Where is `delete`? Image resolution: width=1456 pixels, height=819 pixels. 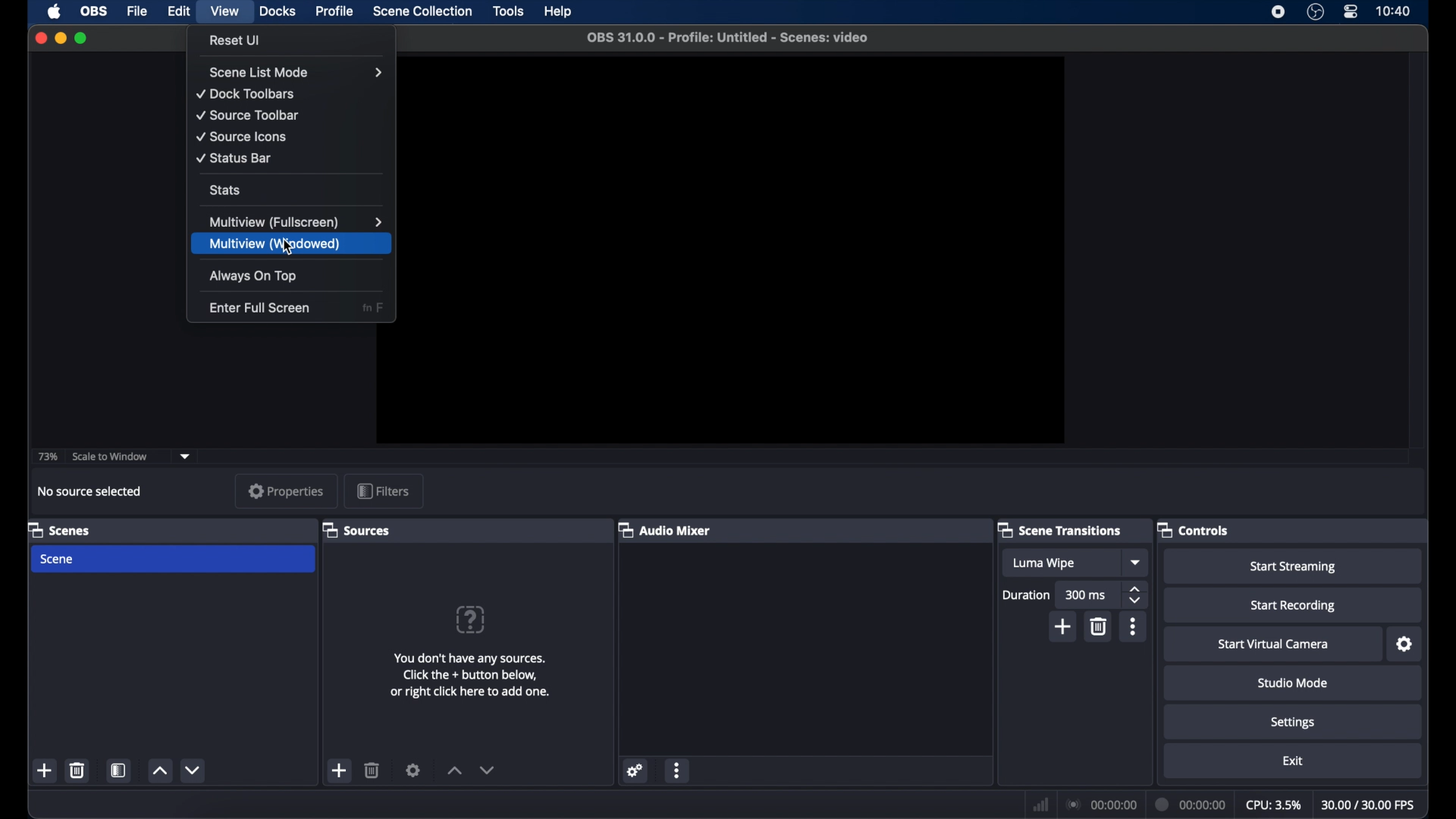
delete is located at coordinates (78, 770).